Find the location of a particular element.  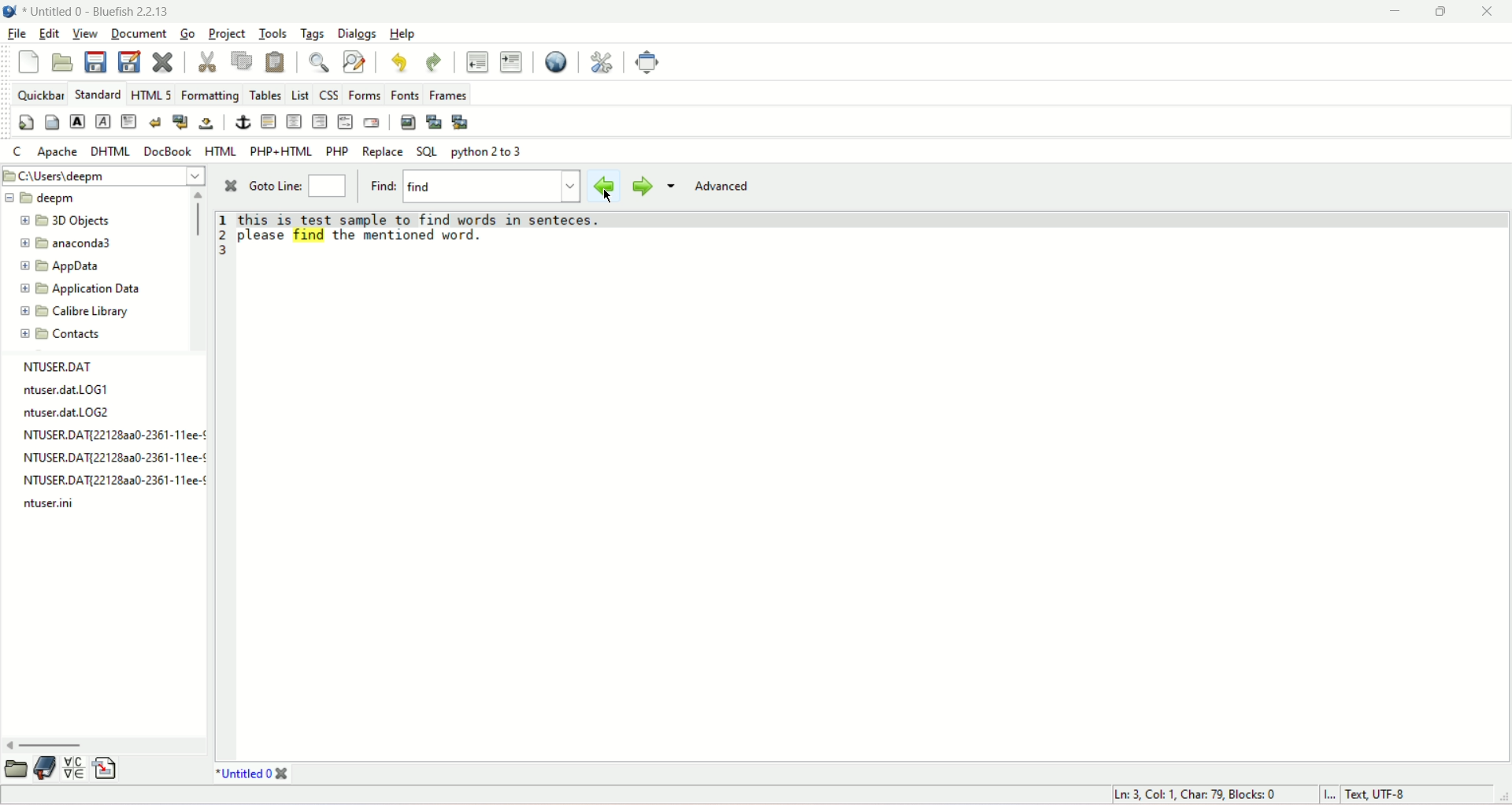

documentation is located at coordinates (44, 769).